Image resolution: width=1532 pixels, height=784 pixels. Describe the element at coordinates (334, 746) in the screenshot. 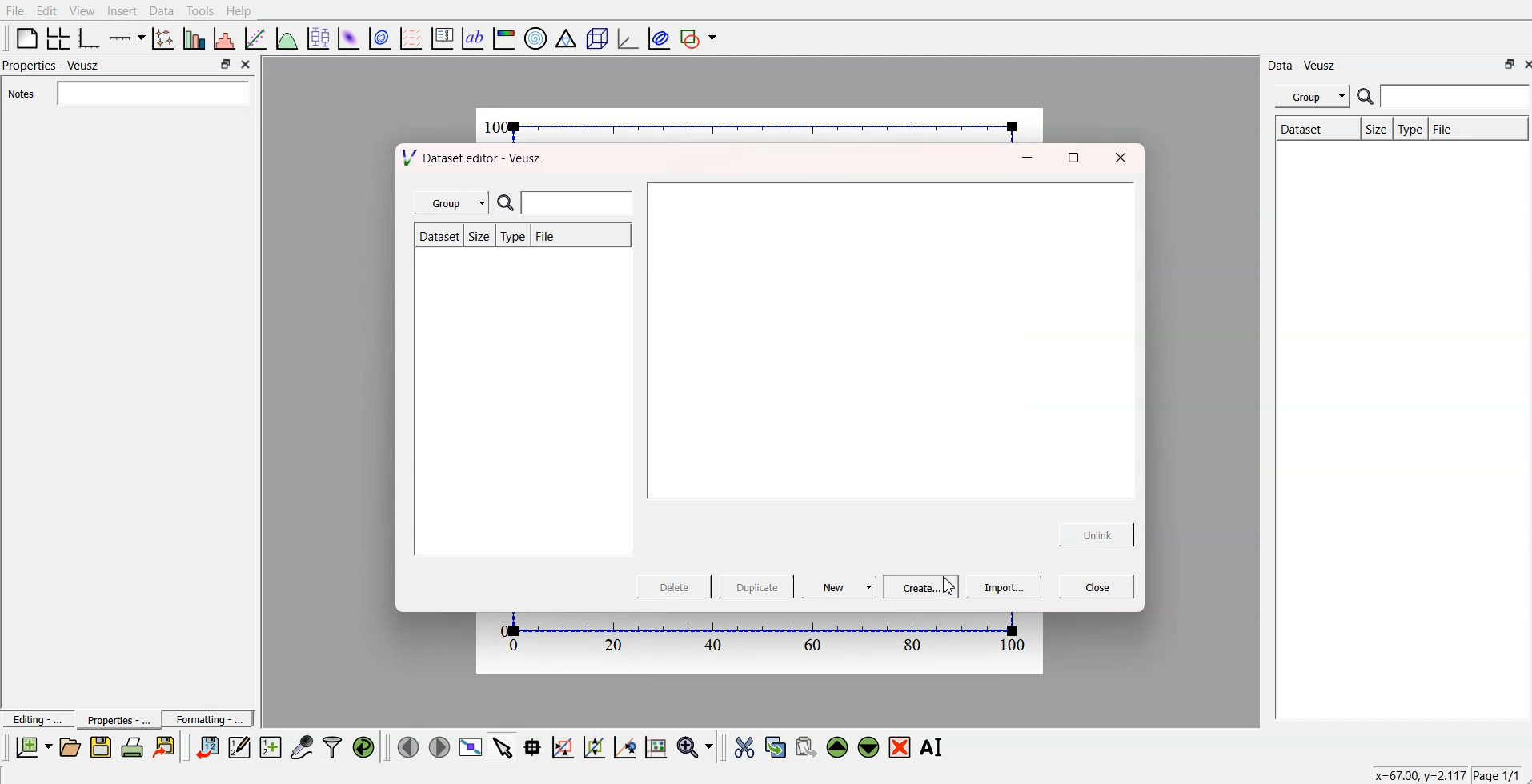

I see `Filter data` at that location.